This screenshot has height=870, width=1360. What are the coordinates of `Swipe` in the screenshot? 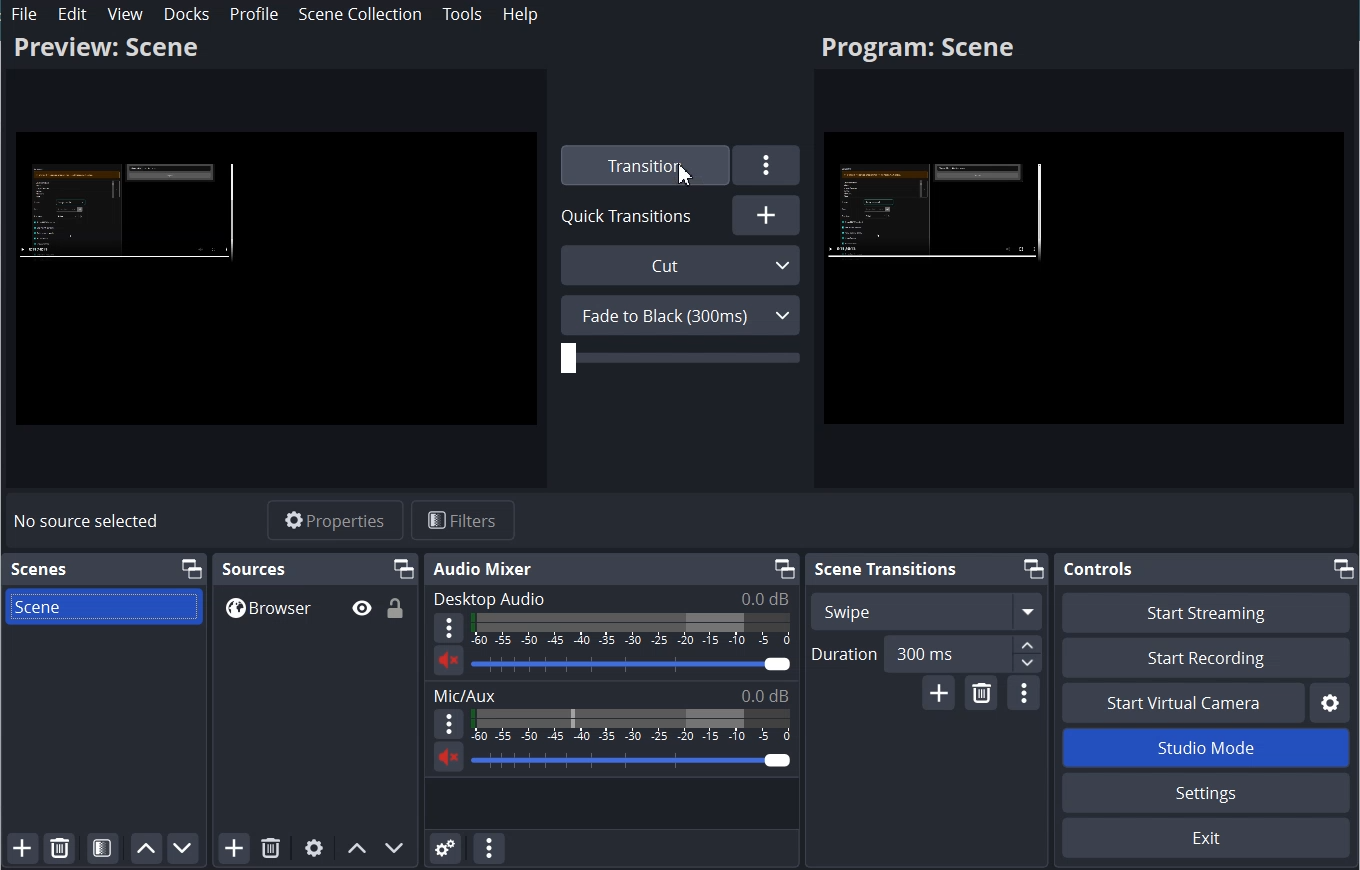 It's located at (927, 611).